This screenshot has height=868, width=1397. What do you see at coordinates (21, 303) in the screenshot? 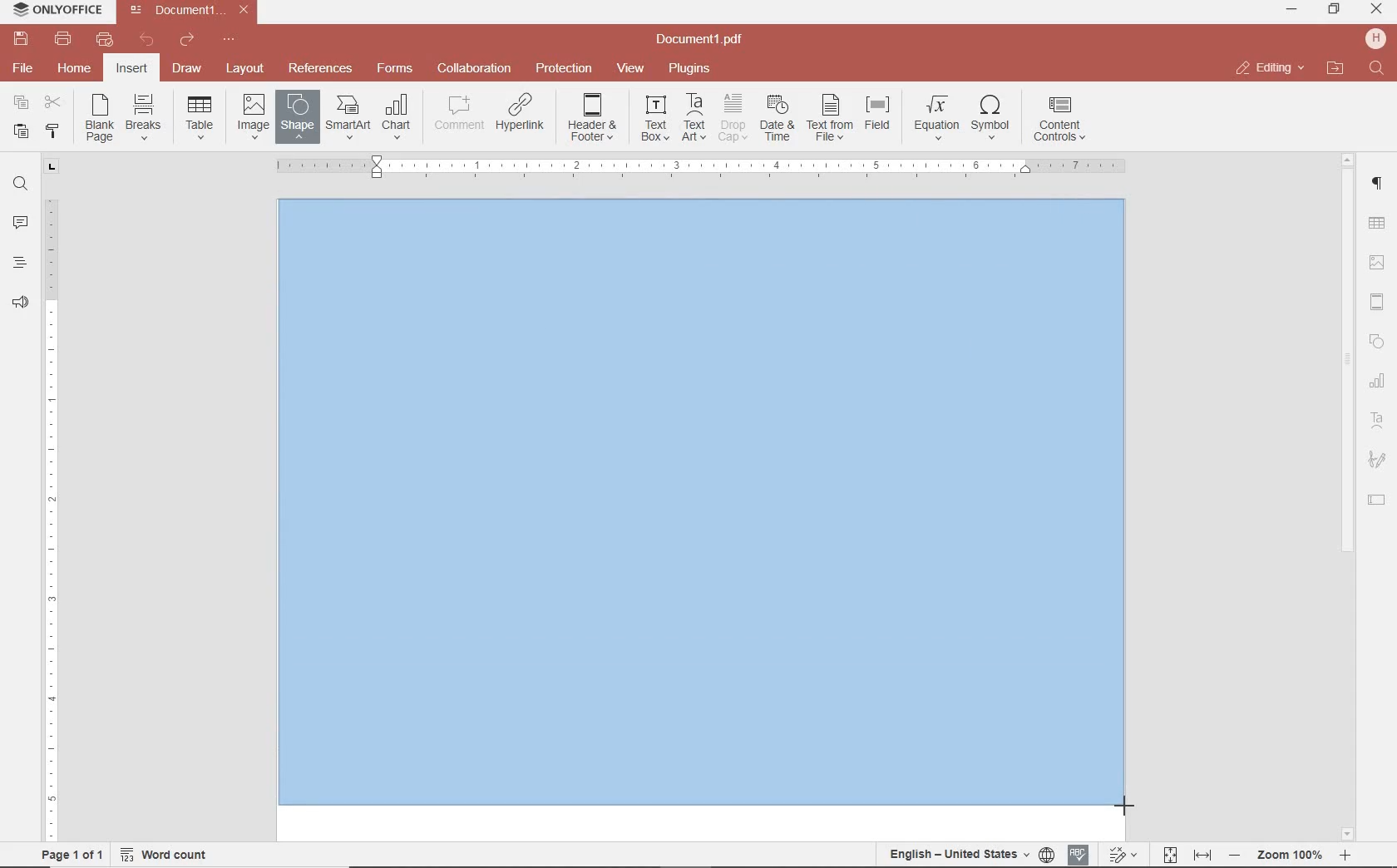
I see `feedback & support` at bounding box center [21, 303].